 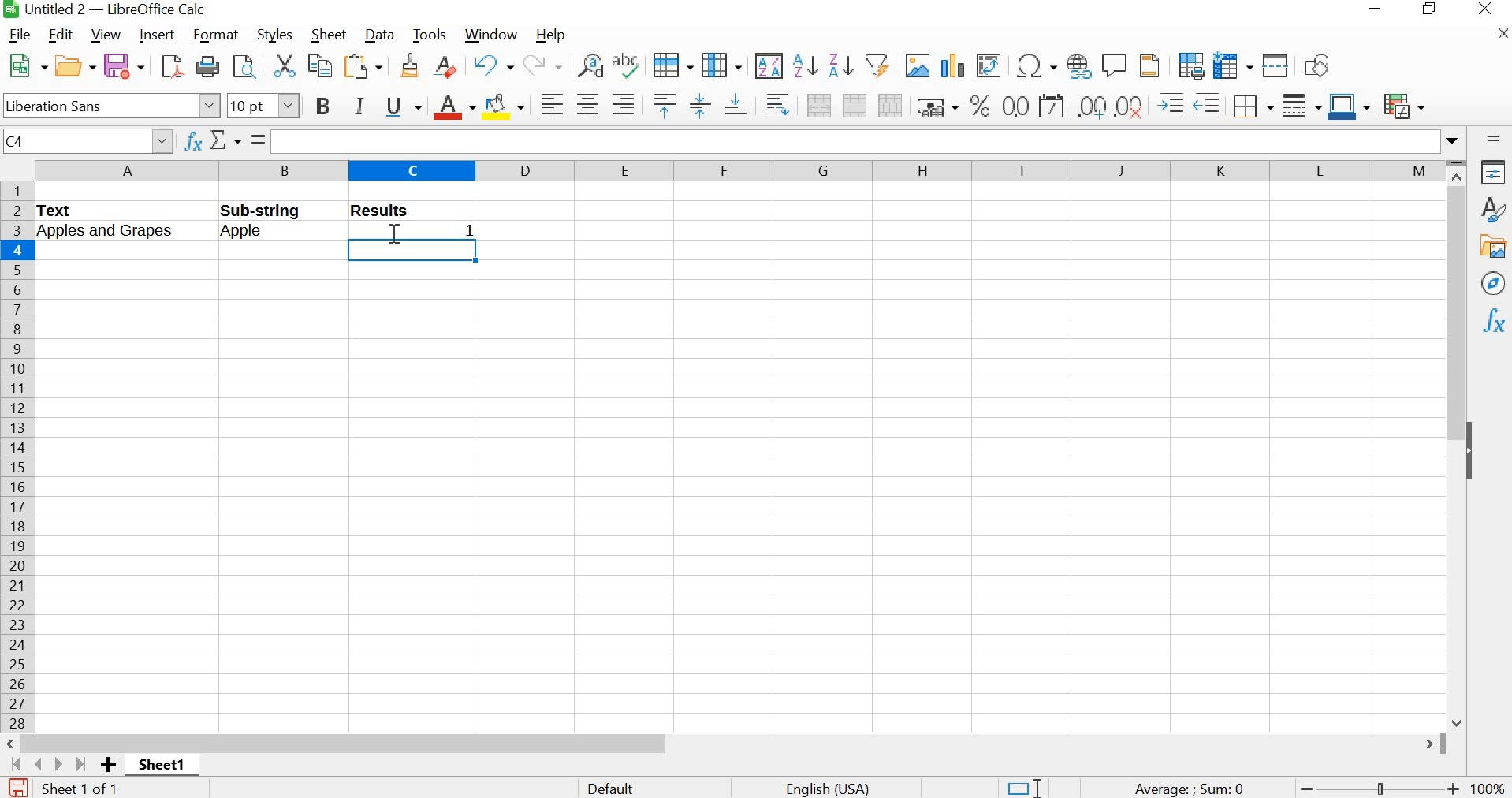 What do you see at coordinates (1171, 104) in the screenshot?
I see `increase indent` at bounding box center [1171, 104].